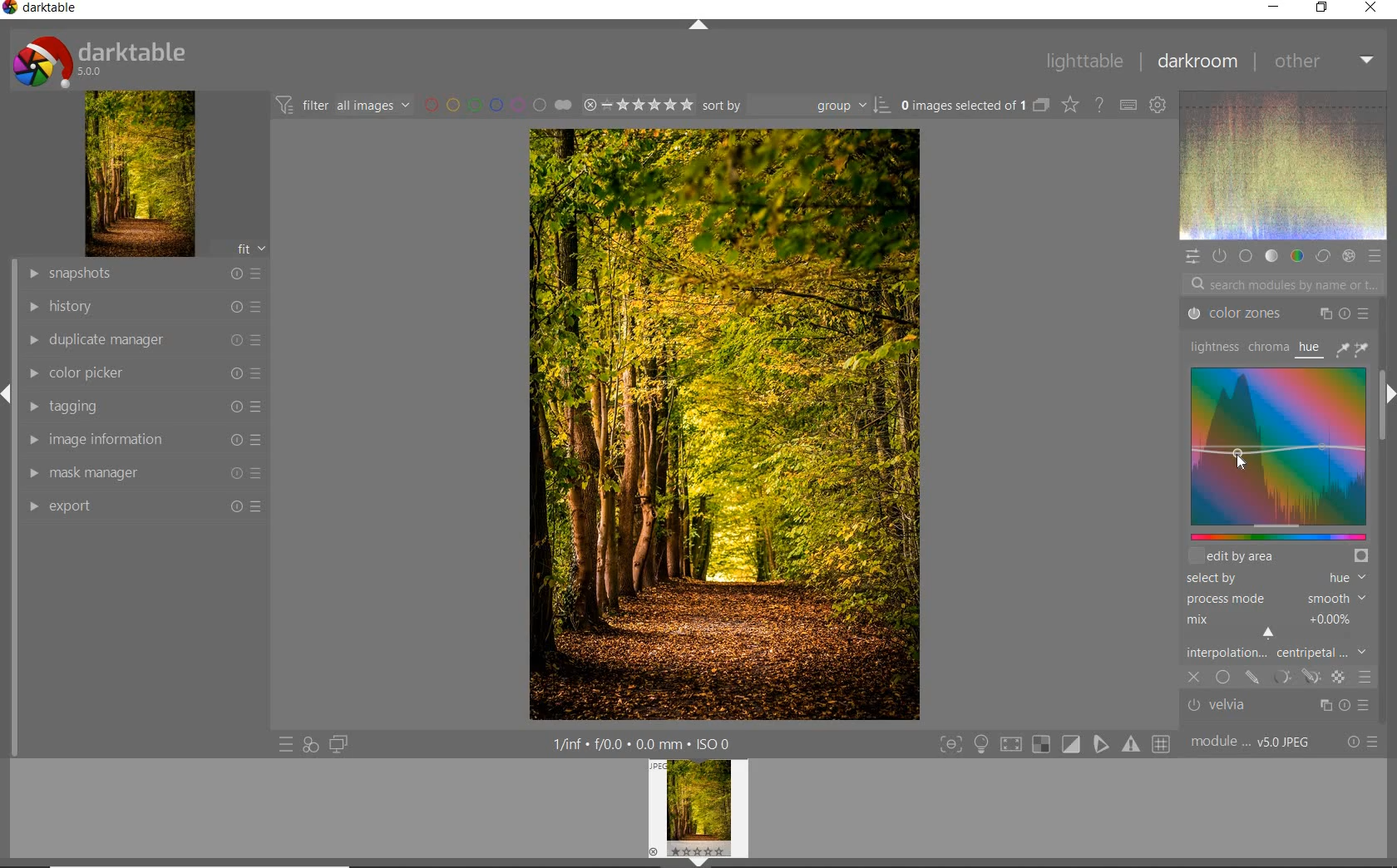 This screenshot has width=1397, height=868. I want to click on COLLAPSE GROUPED IMAGES, so click(1042, 105).